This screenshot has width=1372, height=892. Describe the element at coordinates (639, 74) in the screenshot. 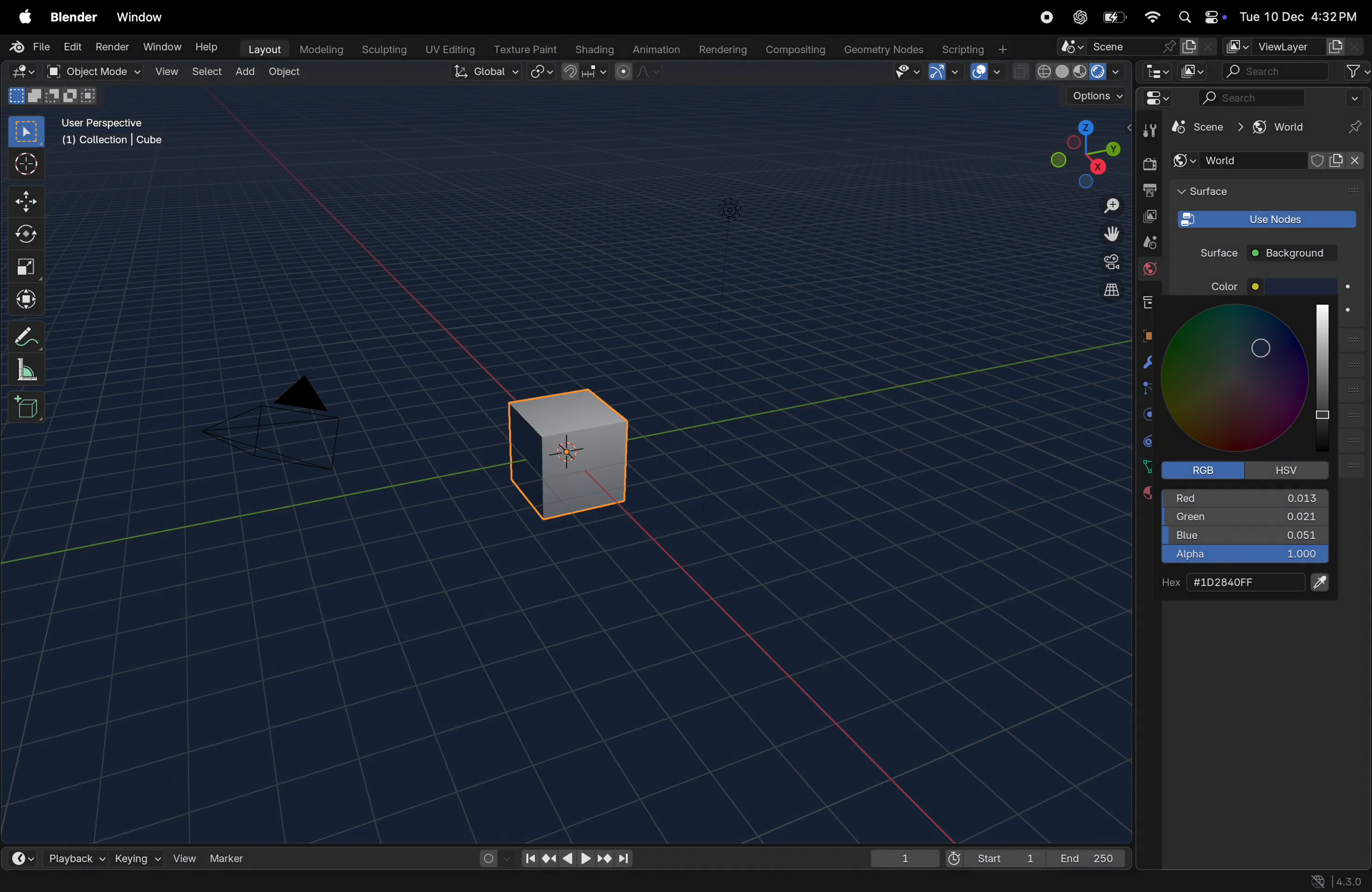

I see `proportional editing fall off` at that location.